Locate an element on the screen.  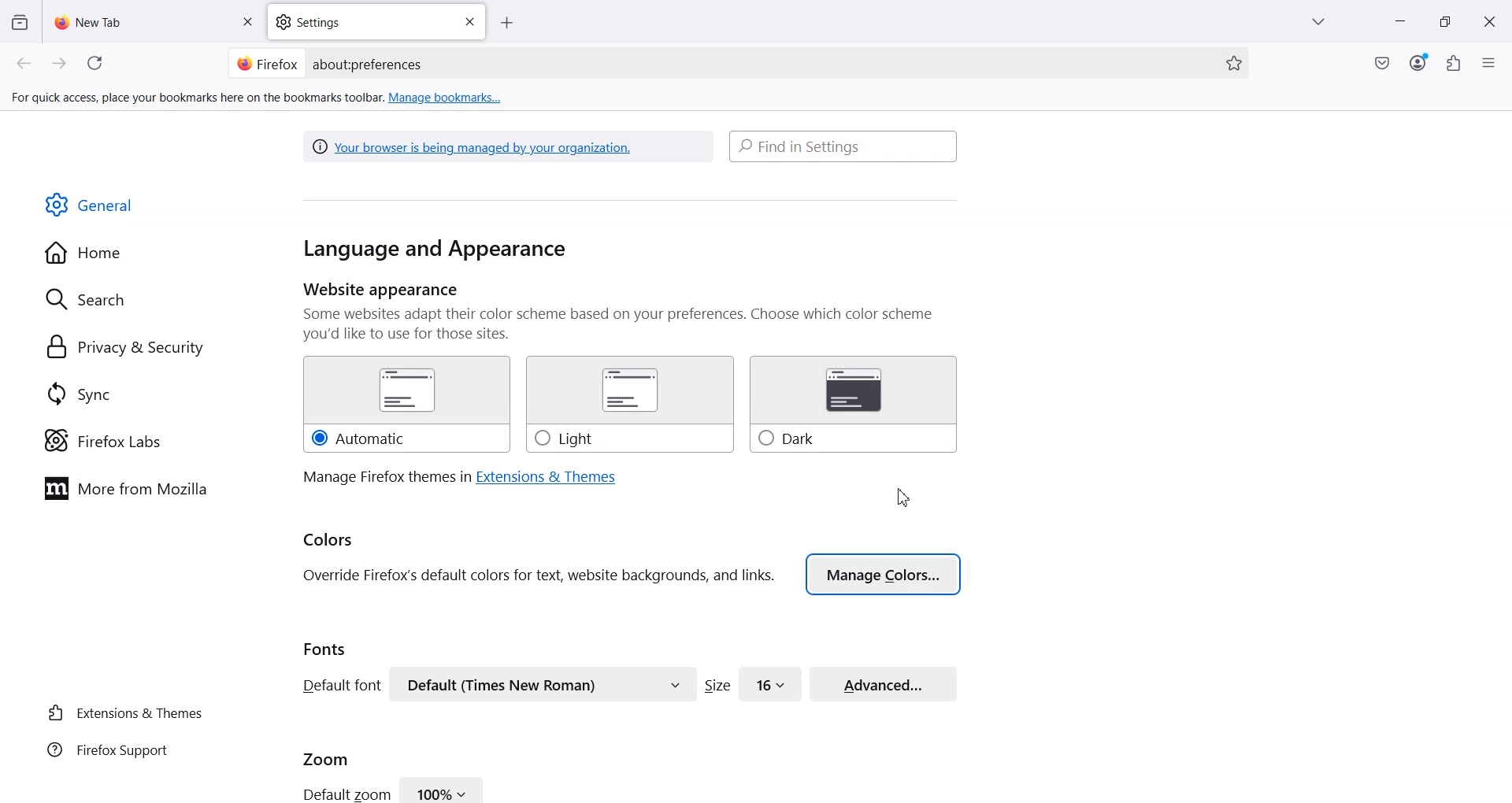
16 is located at coordinates (771, 683).